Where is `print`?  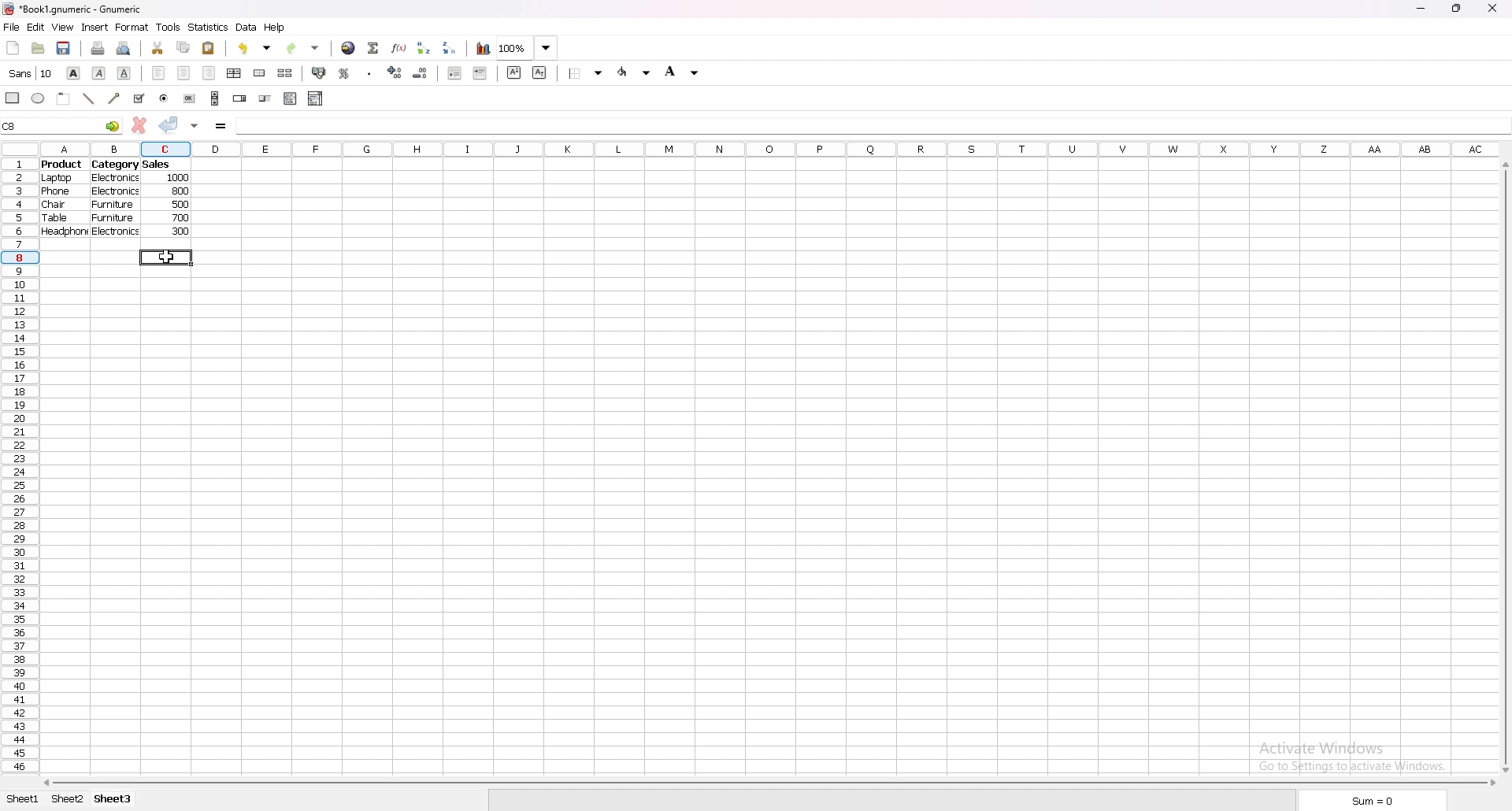 print is located at coordinates (98, 47).